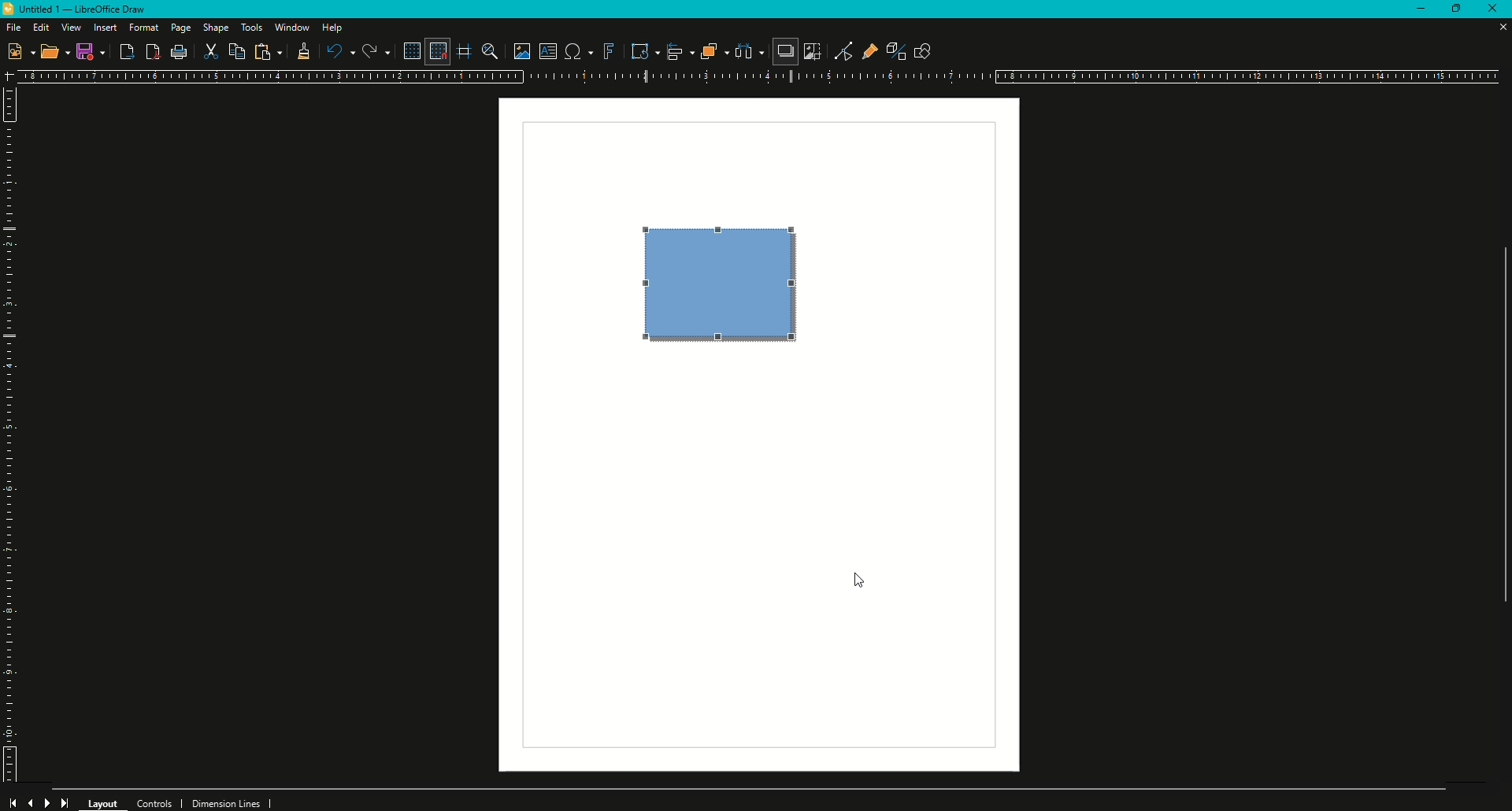  What do you see at coordinates (40, 801) in the screenshot?
I see `forward and backward button` at bounding box center [40, 801].